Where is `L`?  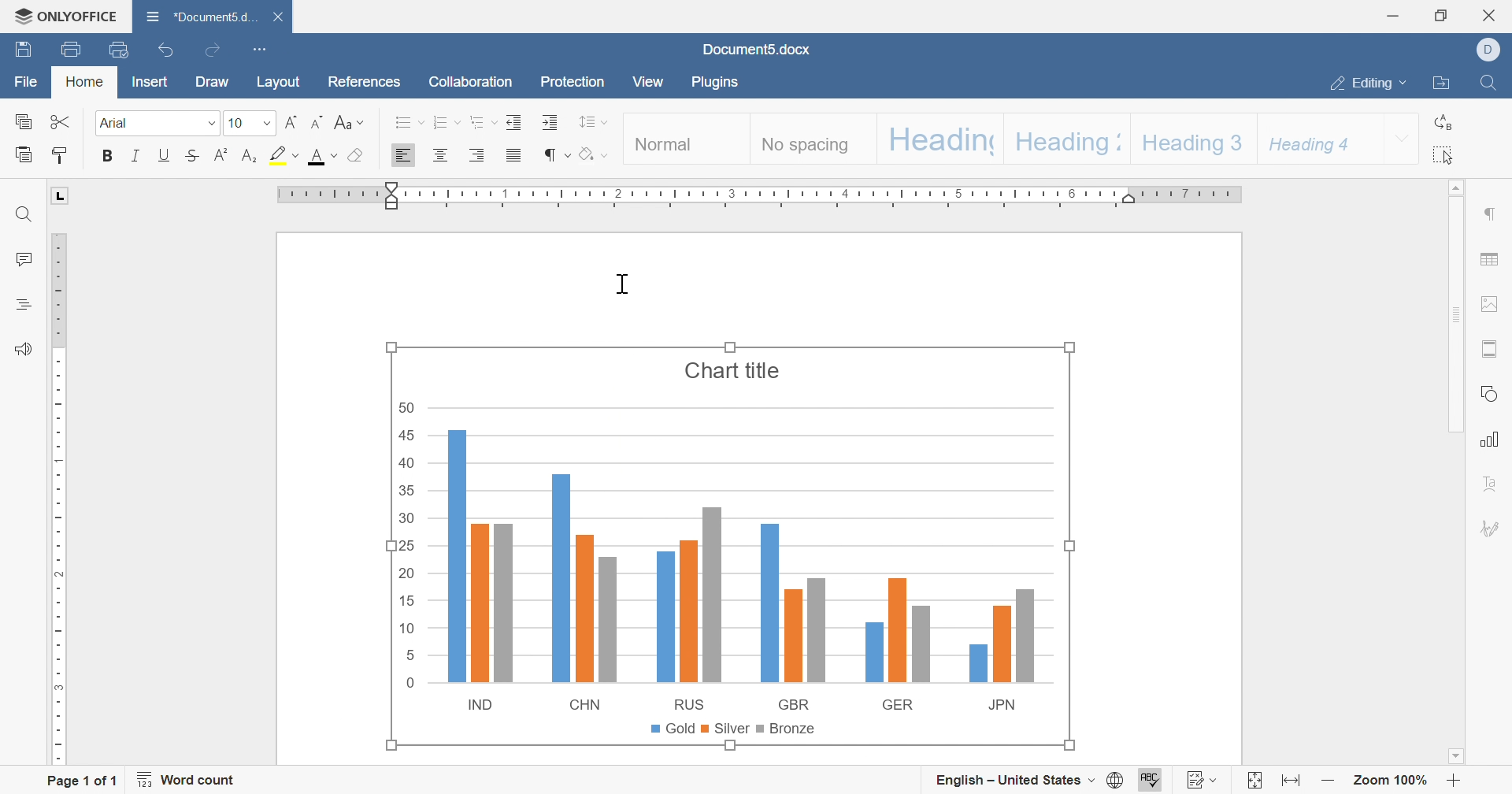 L is located at coordinates (61, 194).